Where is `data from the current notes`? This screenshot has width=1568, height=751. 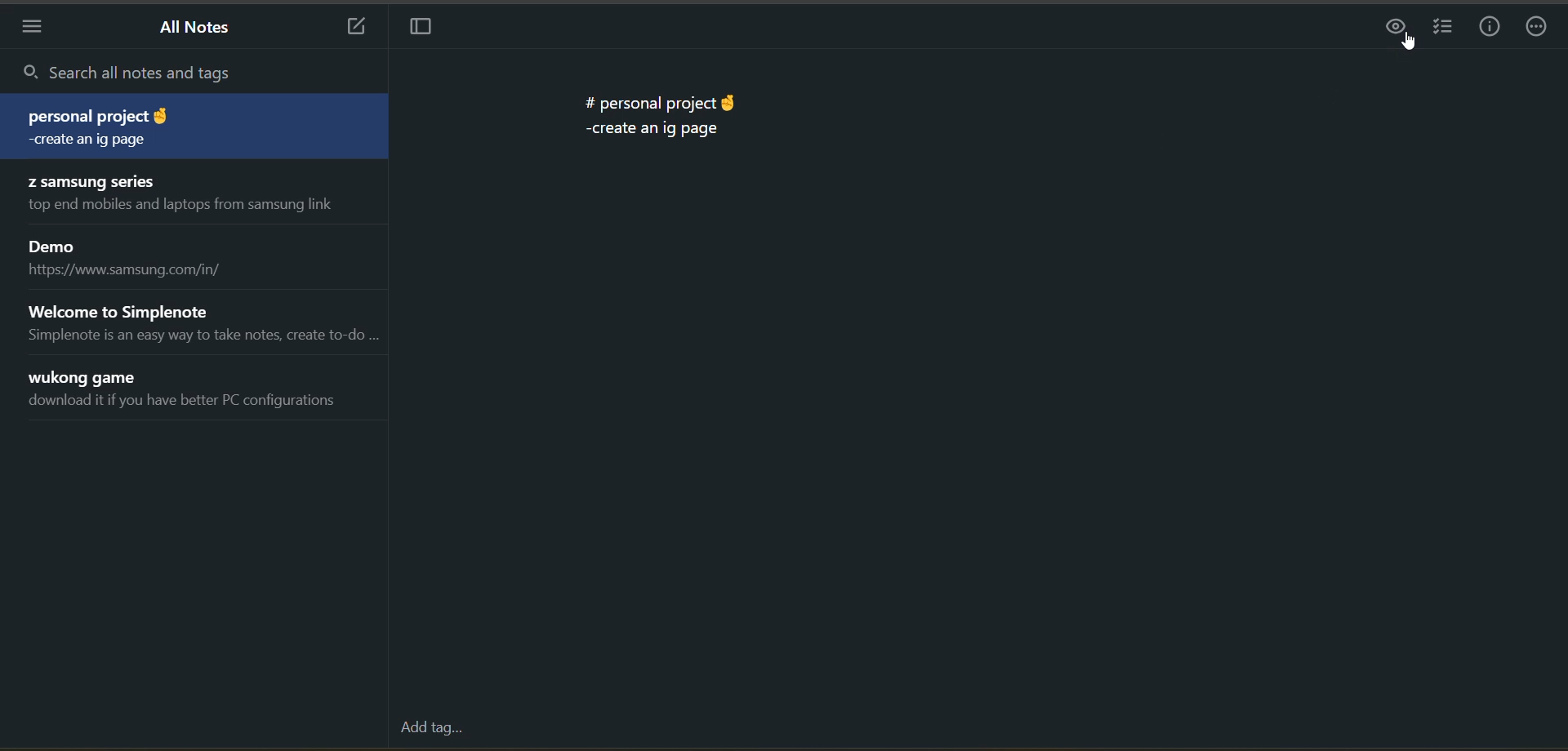 data from the current notes is located at coordinates (664, 122).